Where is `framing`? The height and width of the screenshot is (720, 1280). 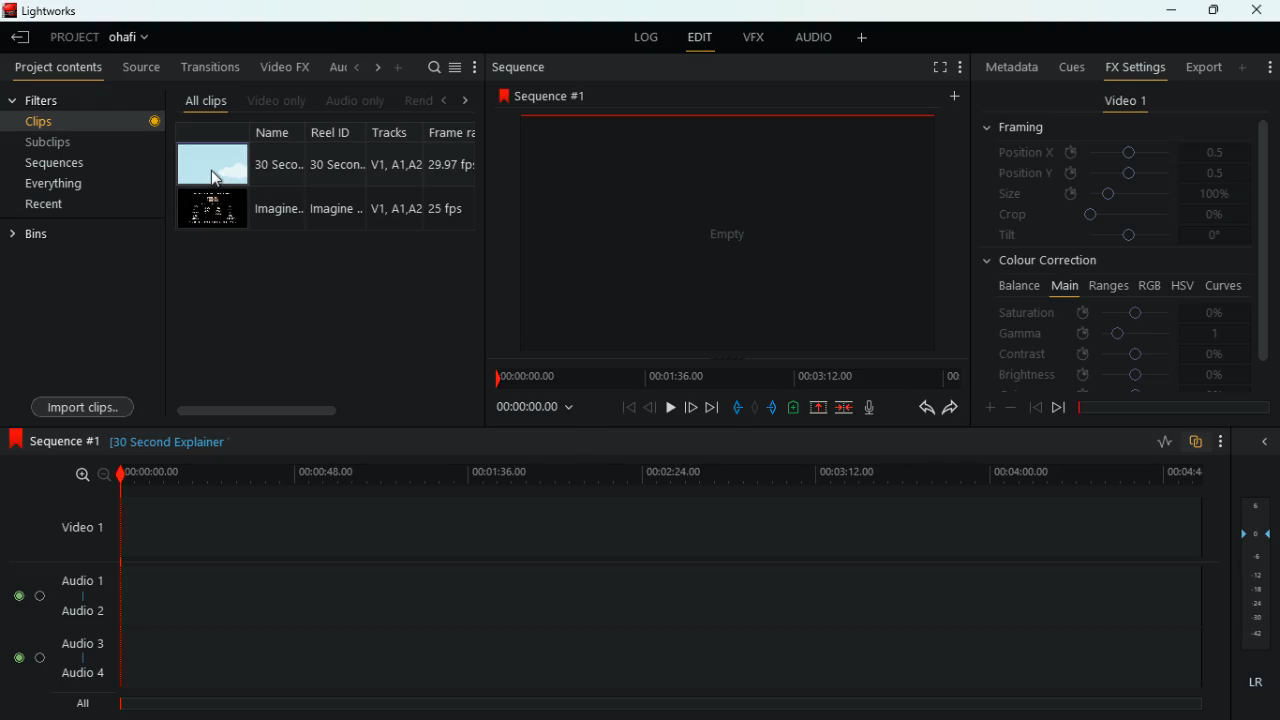
framing is located at coordinates (1026, 129).